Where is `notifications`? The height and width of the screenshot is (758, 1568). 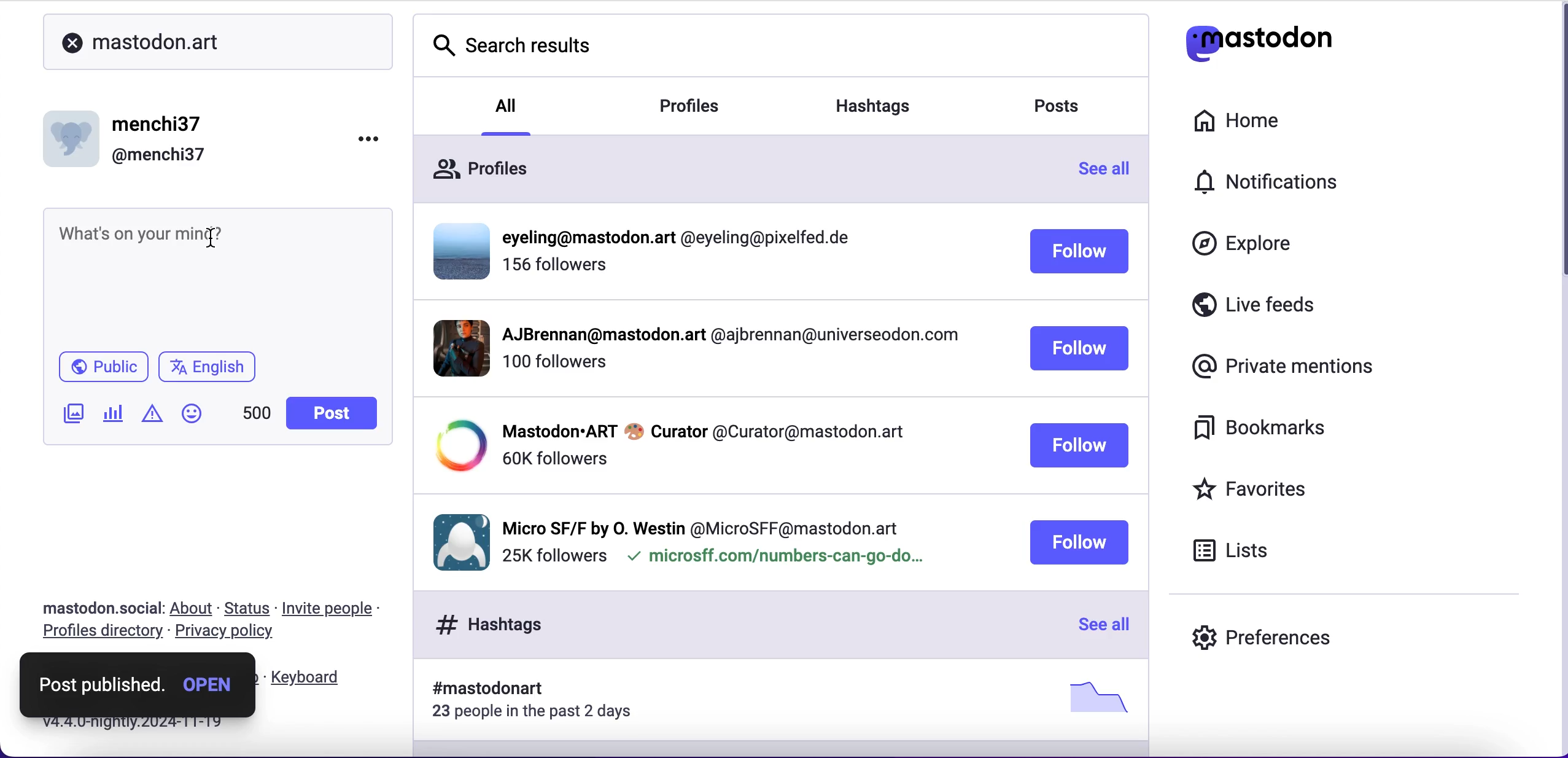
notifications is located at coordinates (1271, 182).